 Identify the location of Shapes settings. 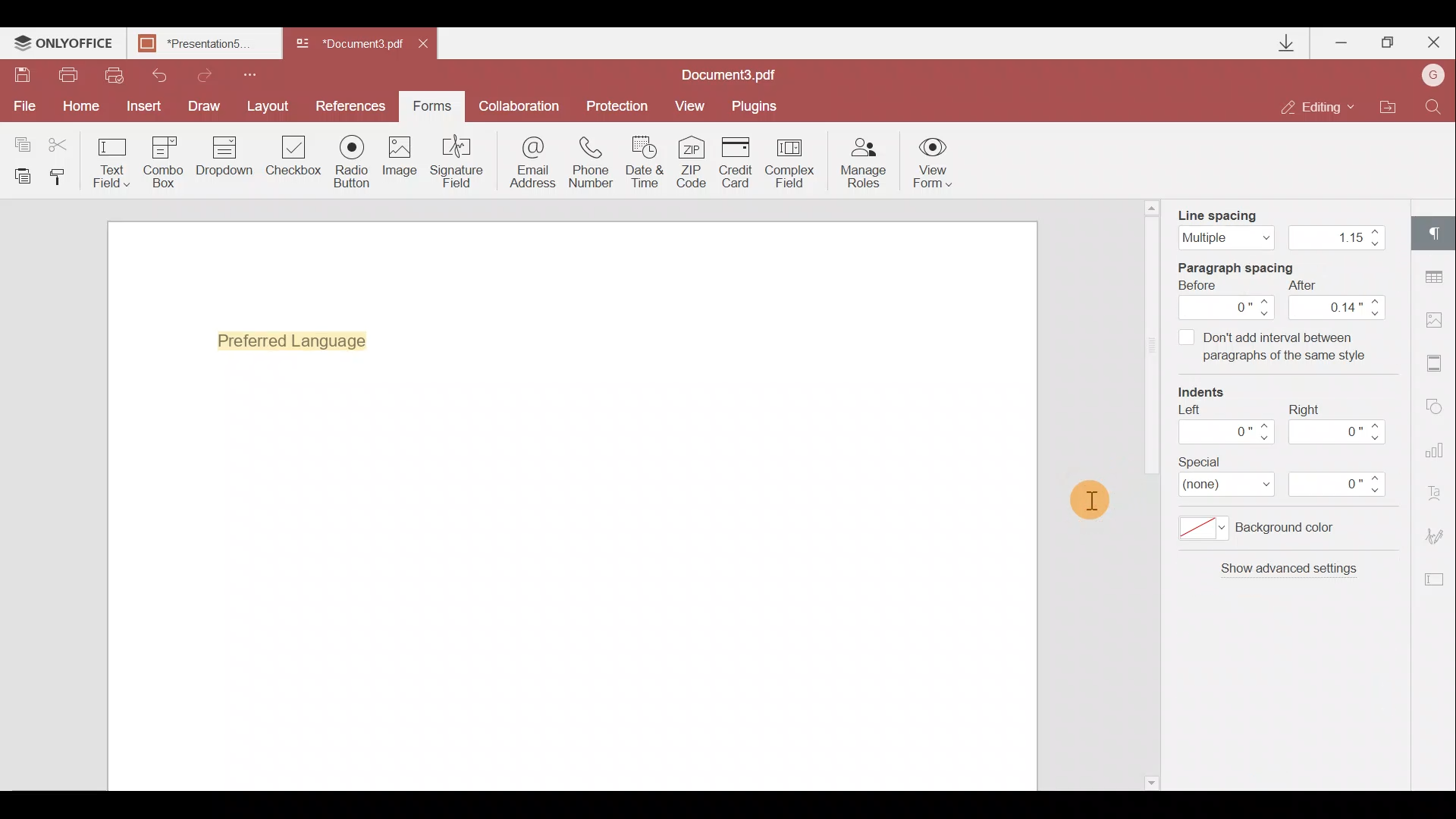
(1437, 409).